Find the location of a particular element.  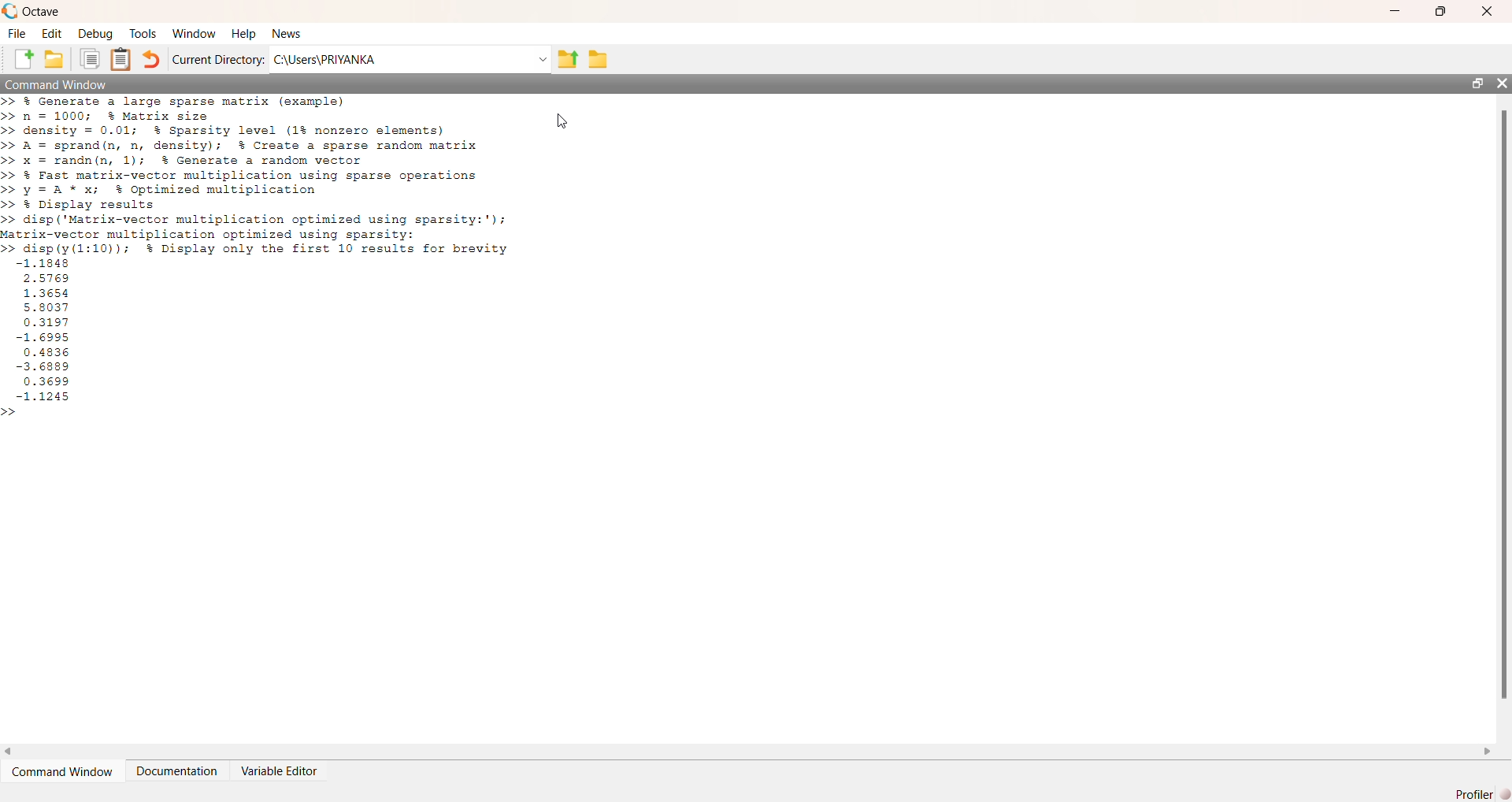

undo is located at coordinates (153, 62).